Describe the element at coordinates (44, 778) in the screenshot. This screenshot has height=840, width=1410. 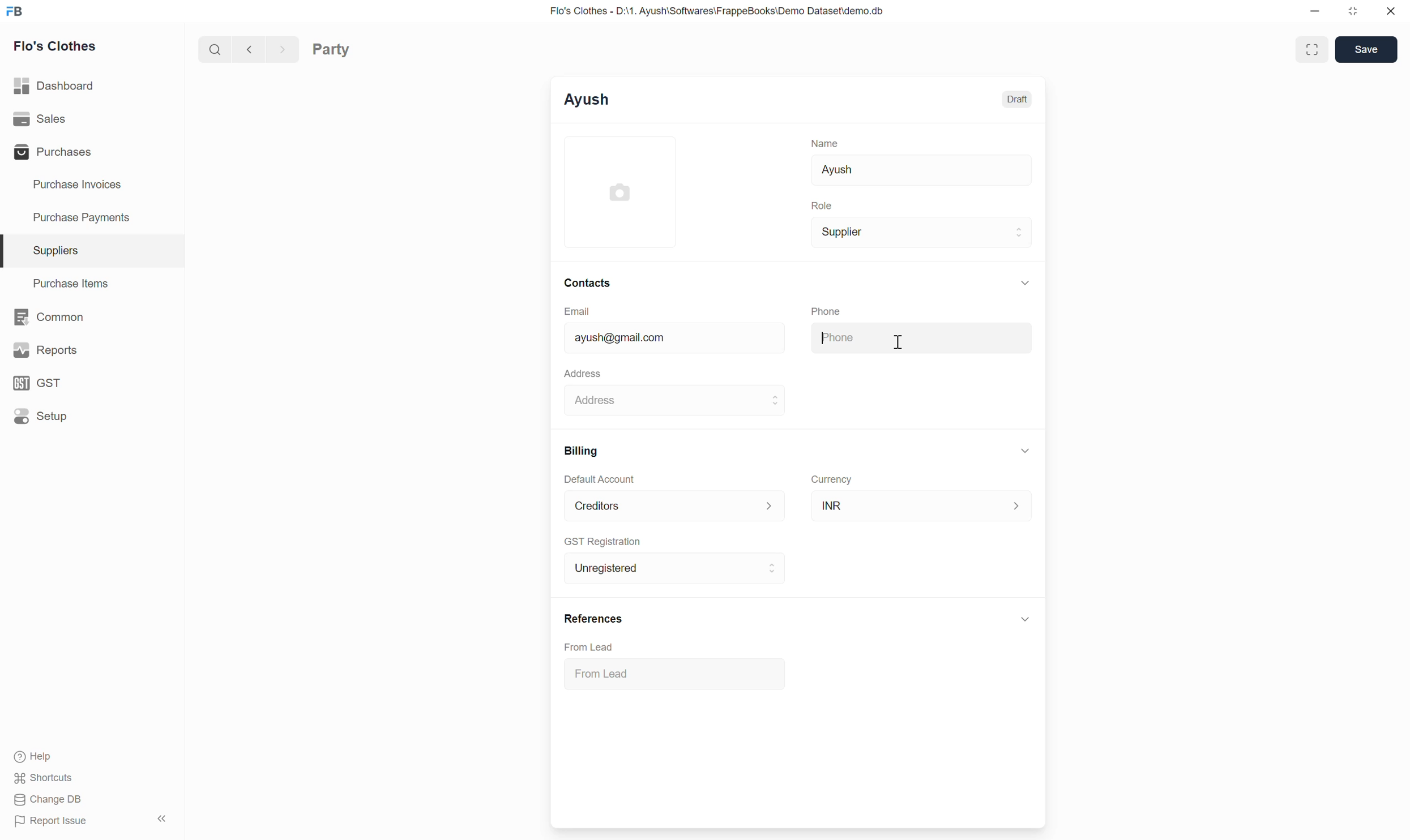
I see `Shortcuts` at that location.